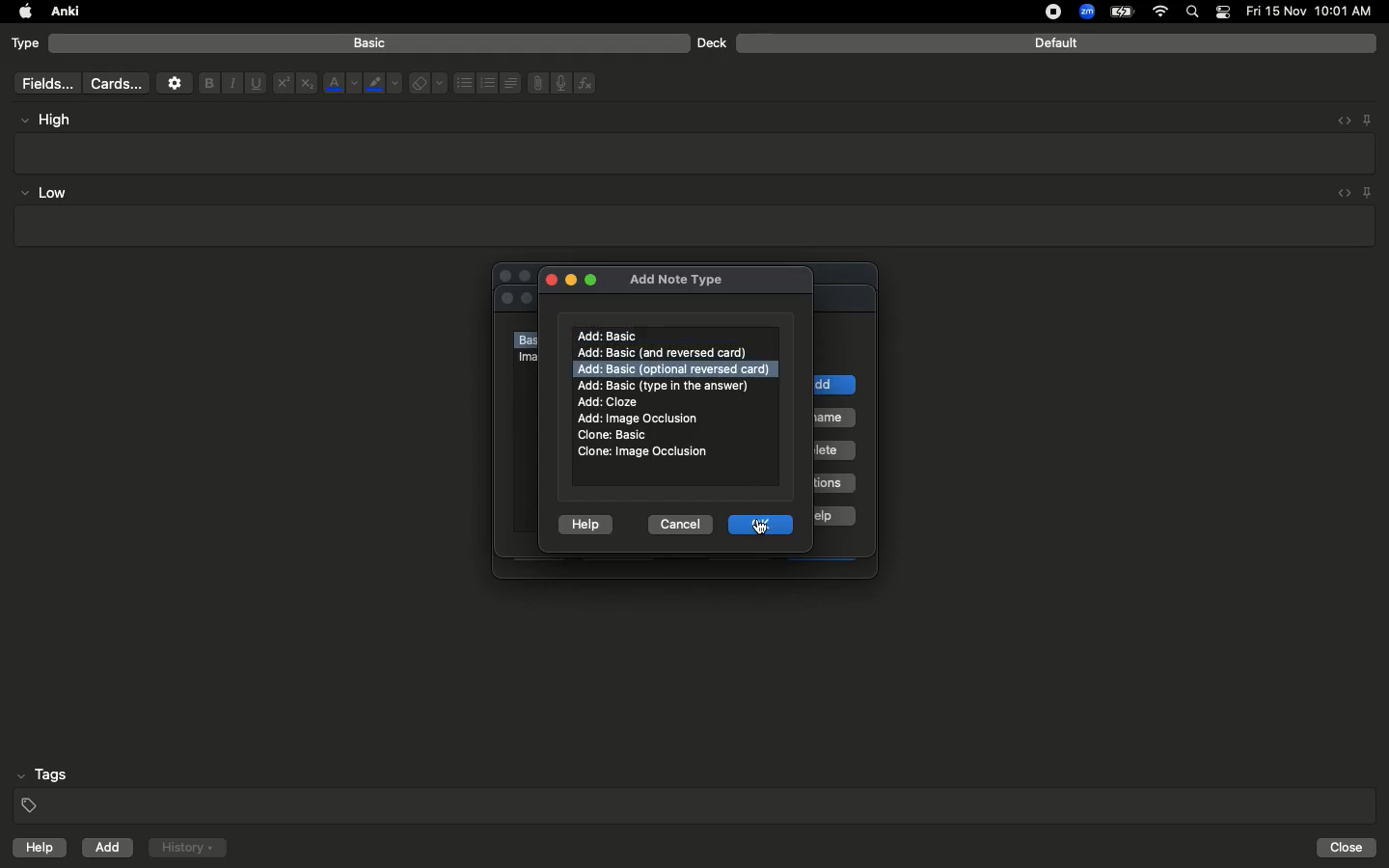  What do you see at coordinates (643, 451) in the screenshot?
I see `Clone image occlusion` at bounding box center [643, 451].